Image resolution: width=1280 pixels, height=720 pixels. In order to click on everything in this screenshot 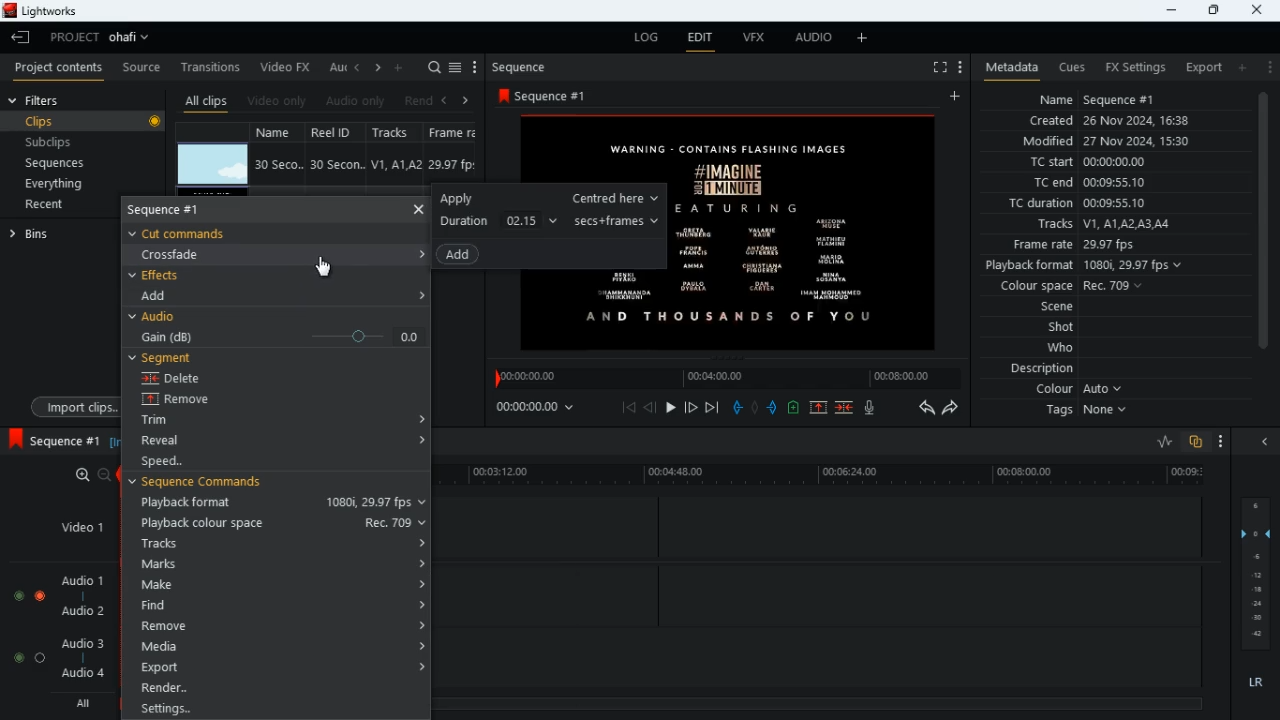, I will do `click(51, 185)`.